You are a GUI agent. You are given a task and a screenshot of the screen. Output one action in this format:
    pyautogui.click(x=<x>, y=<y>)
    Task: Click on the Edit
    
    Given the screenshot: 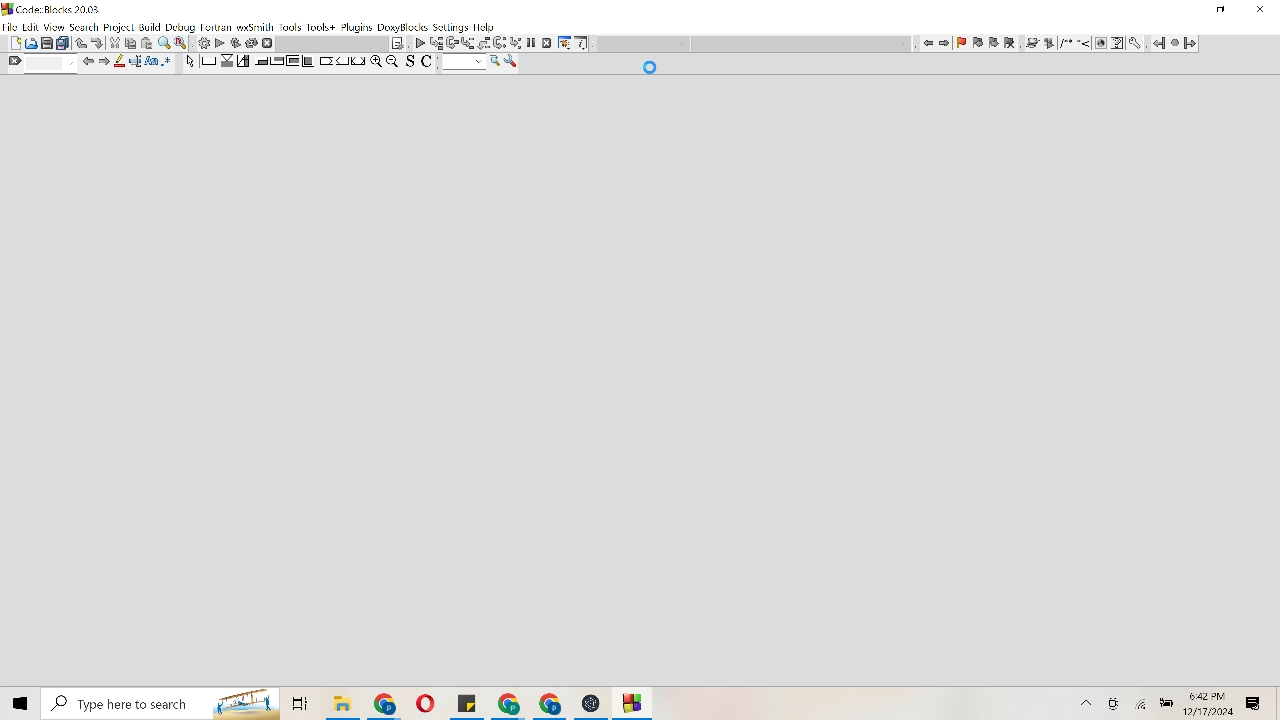 What is the action you would take?
    pyautogui.click(x=31, y=27)
    